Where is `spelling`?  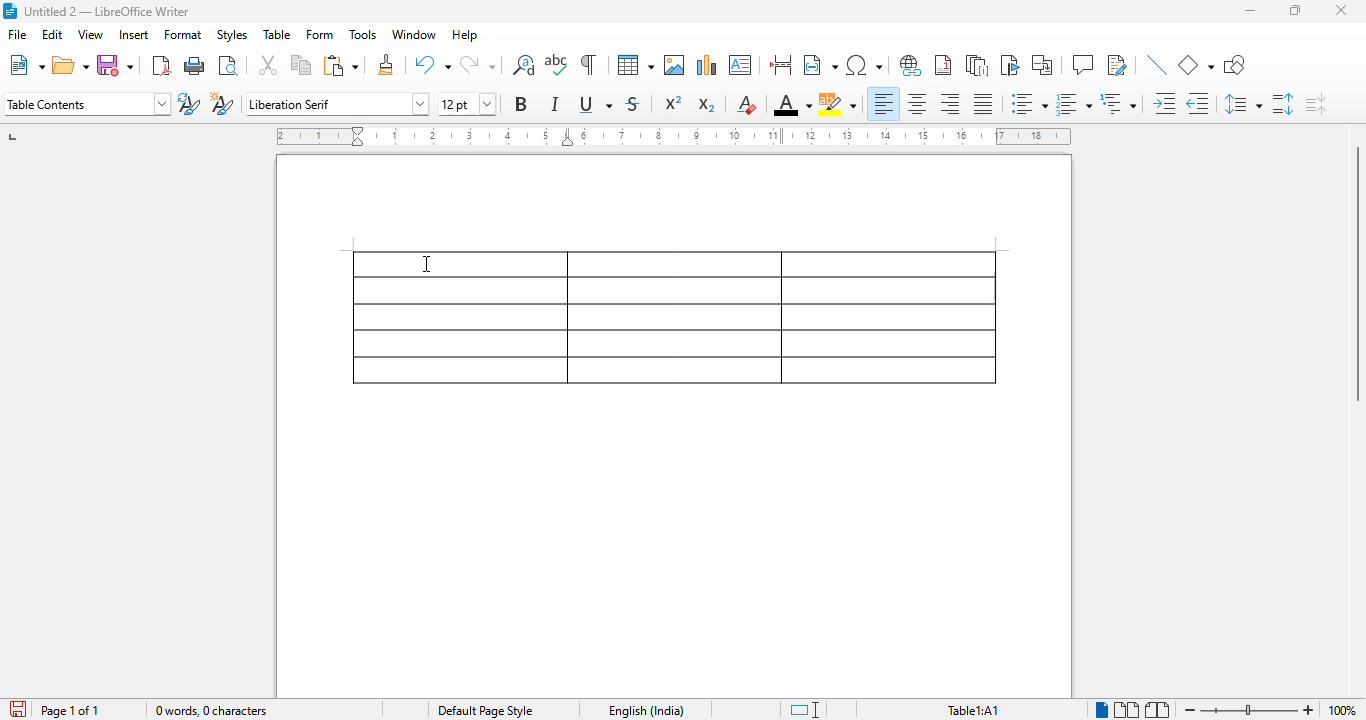
spelling is located at coordinates (556, 64).